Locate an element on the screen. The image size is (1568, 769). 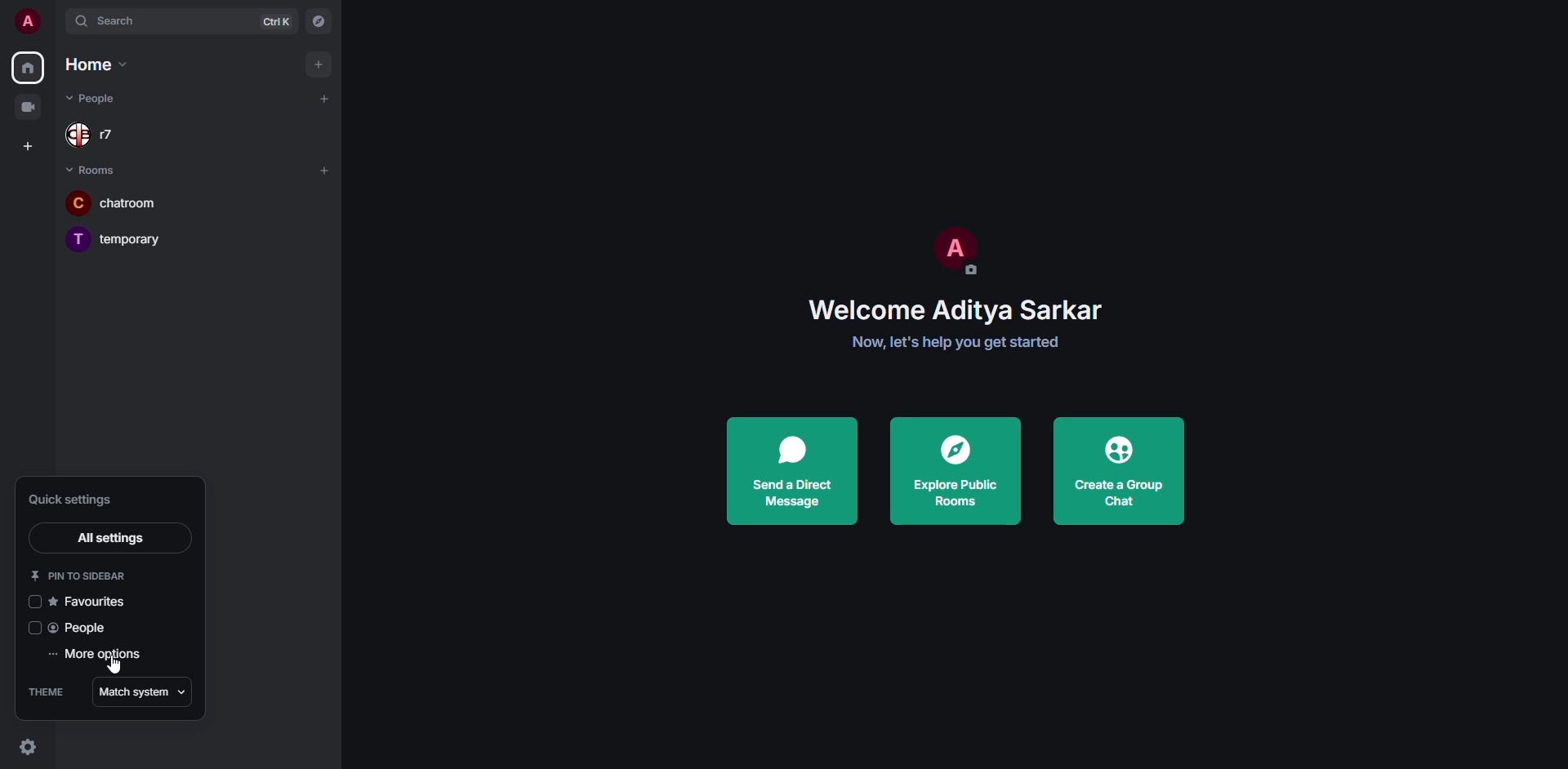
search is located at coordinates (121, 21).